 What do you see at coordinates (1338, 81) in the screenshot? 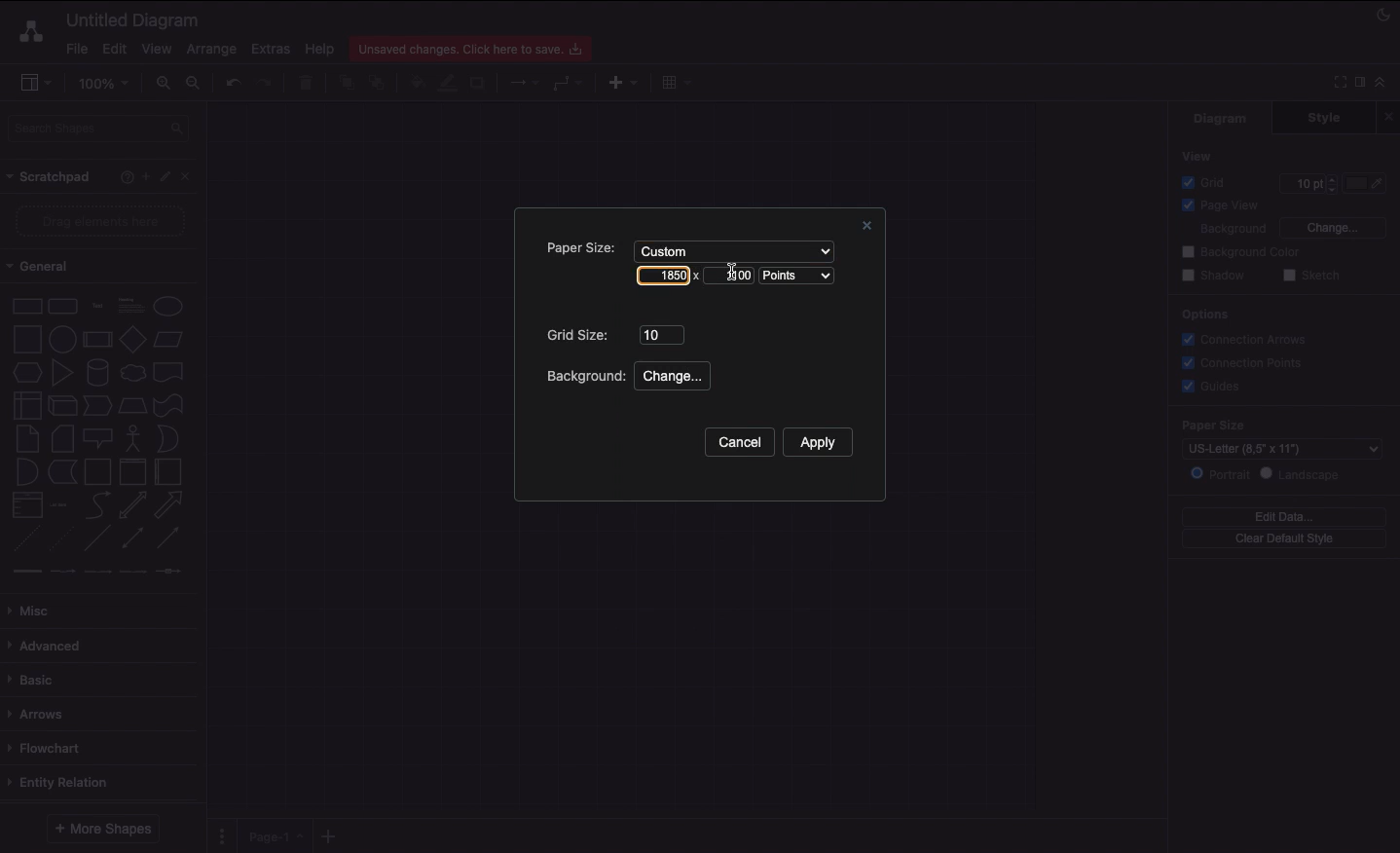
I see `Full screen` at bounding box center [1338, 81].